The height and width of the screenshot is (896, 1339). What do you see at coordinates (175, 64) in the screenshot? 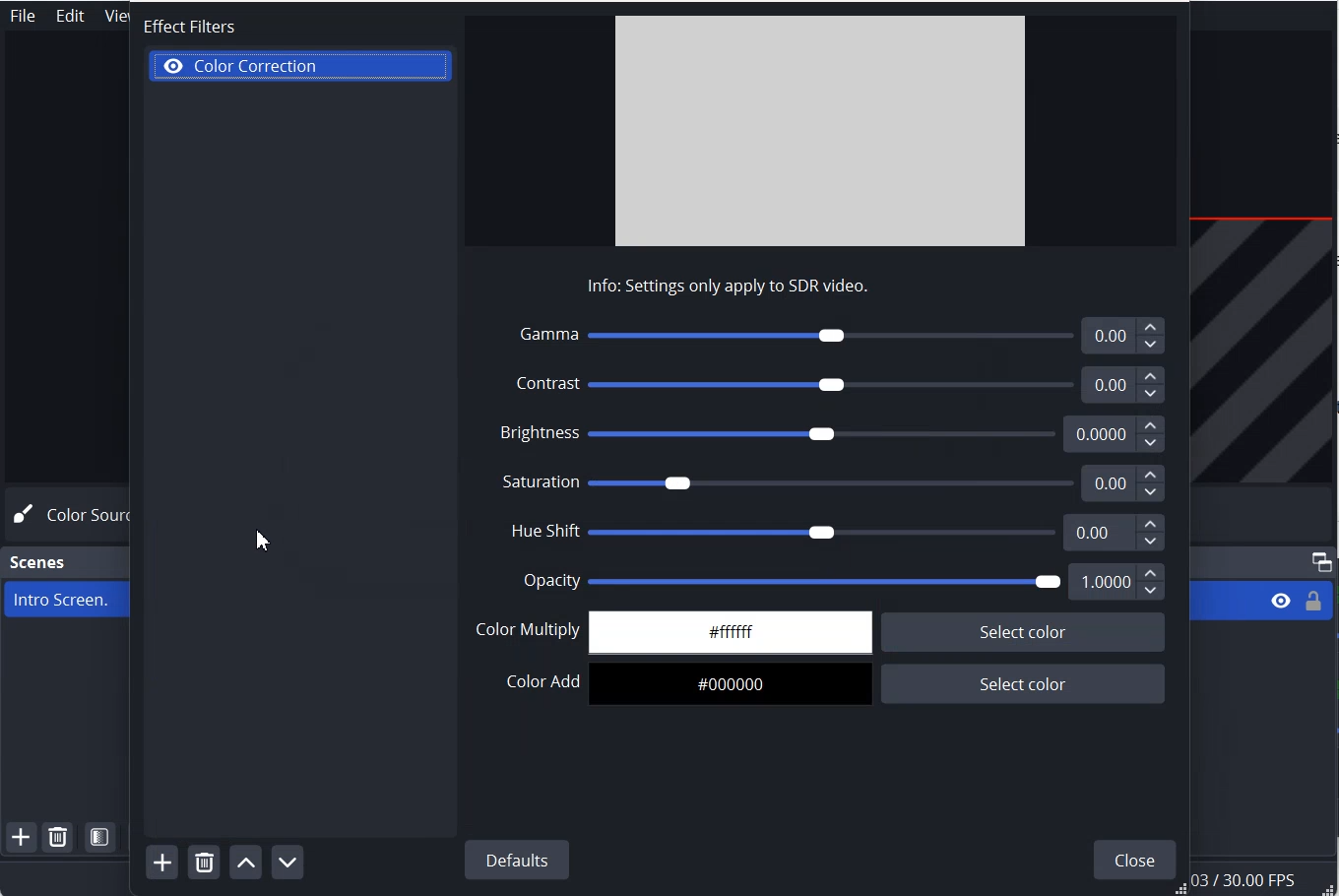
I see `Eye` at bounding box center [175, 64].